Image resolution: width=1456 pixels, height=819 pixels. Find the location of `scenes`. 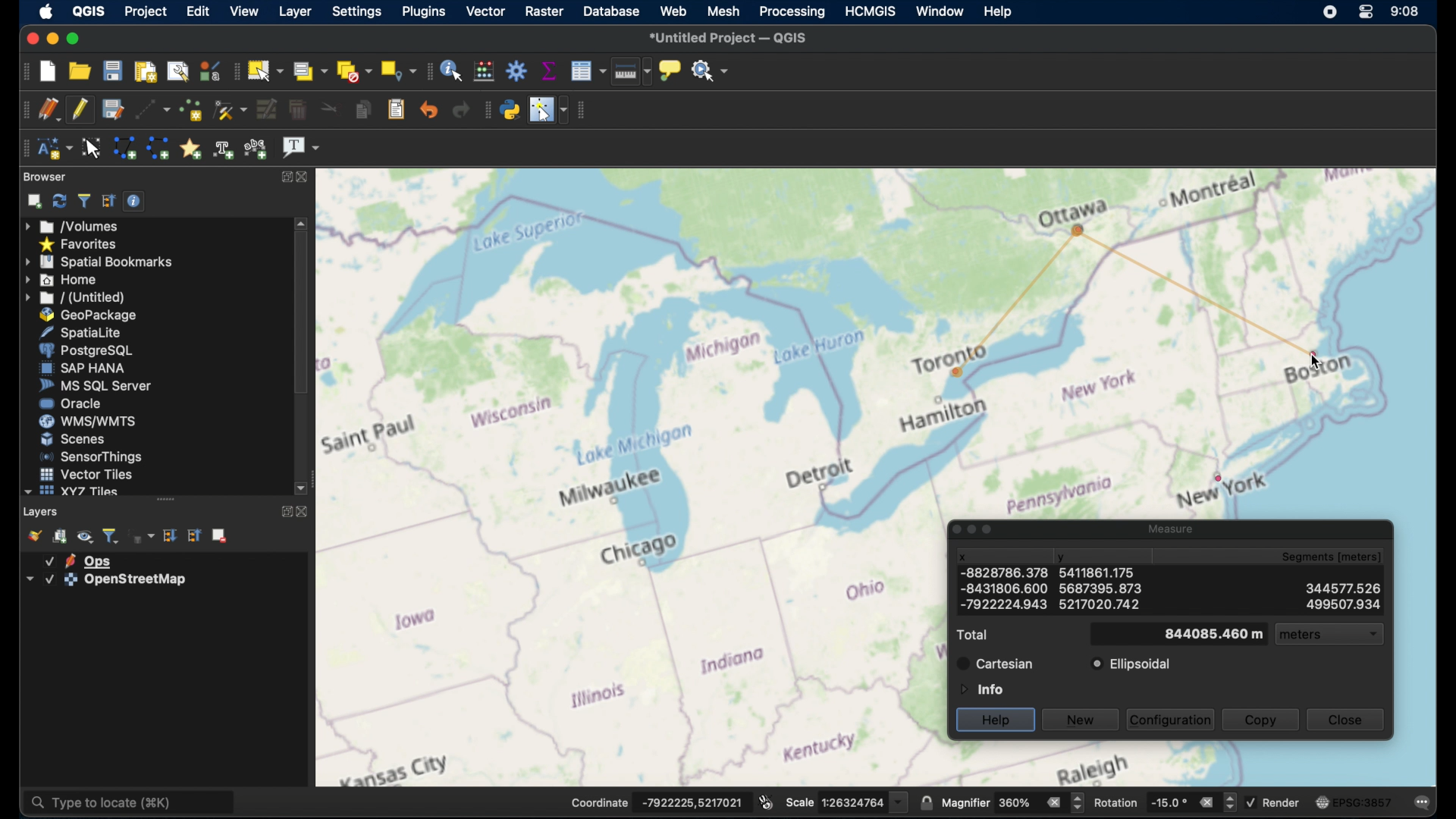

scenes is located at coordinates (72, 439).